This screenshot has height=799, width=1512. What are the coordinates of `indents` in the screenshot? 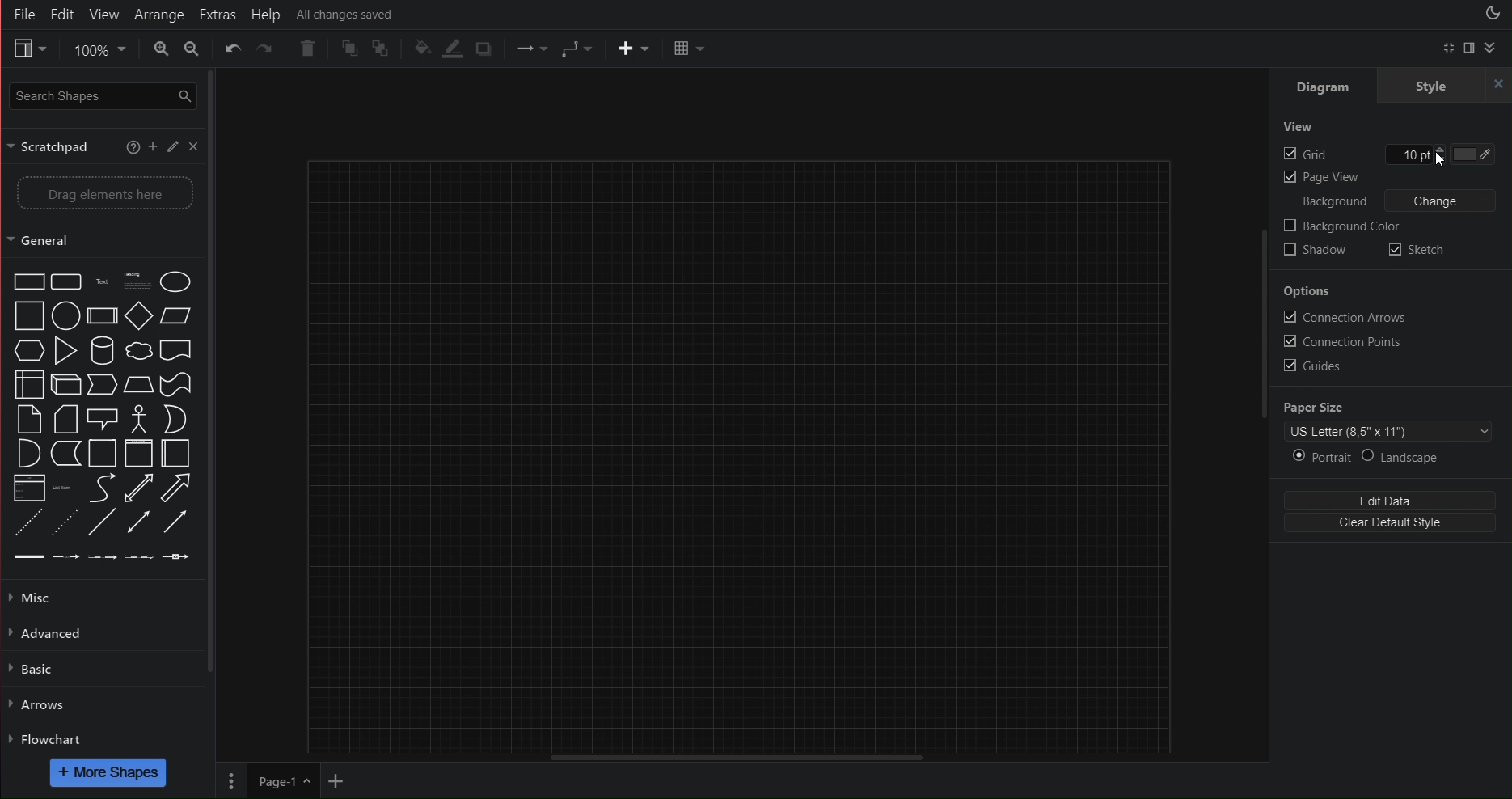 It's located at (94, 556).